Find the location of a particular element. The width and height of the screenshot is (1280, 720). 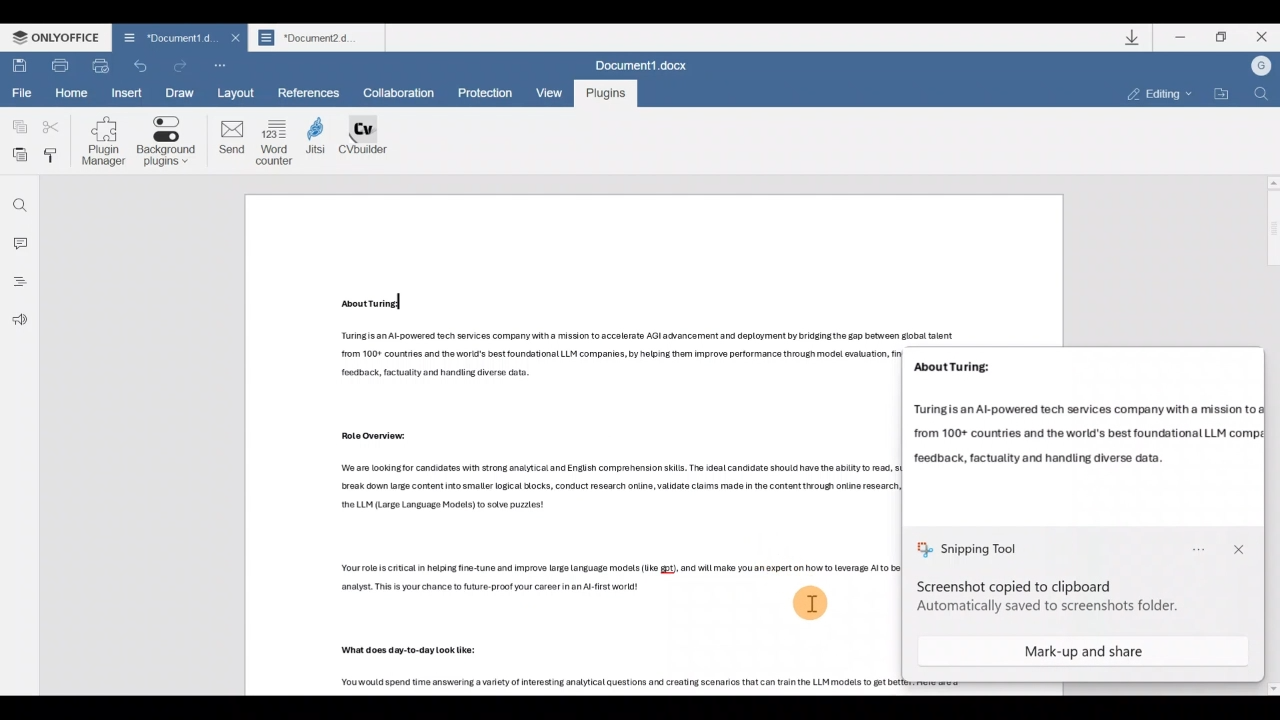

Downloads is located at coordinates (1129, 37).